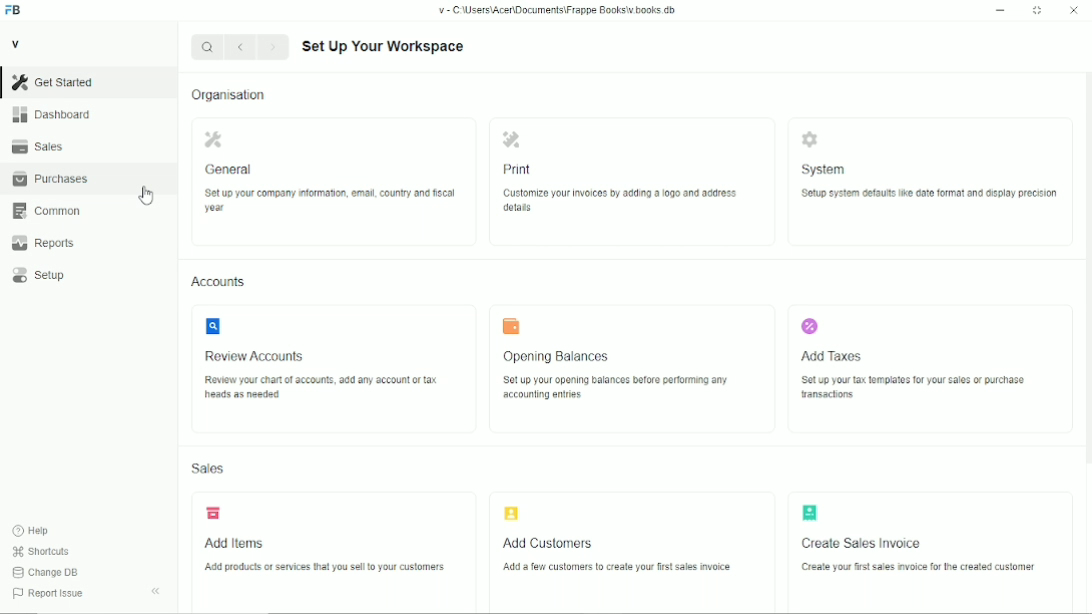  Describe the element at coordinates (511, 326) in the screenshot. I see `Opening Balances icon` at that location.